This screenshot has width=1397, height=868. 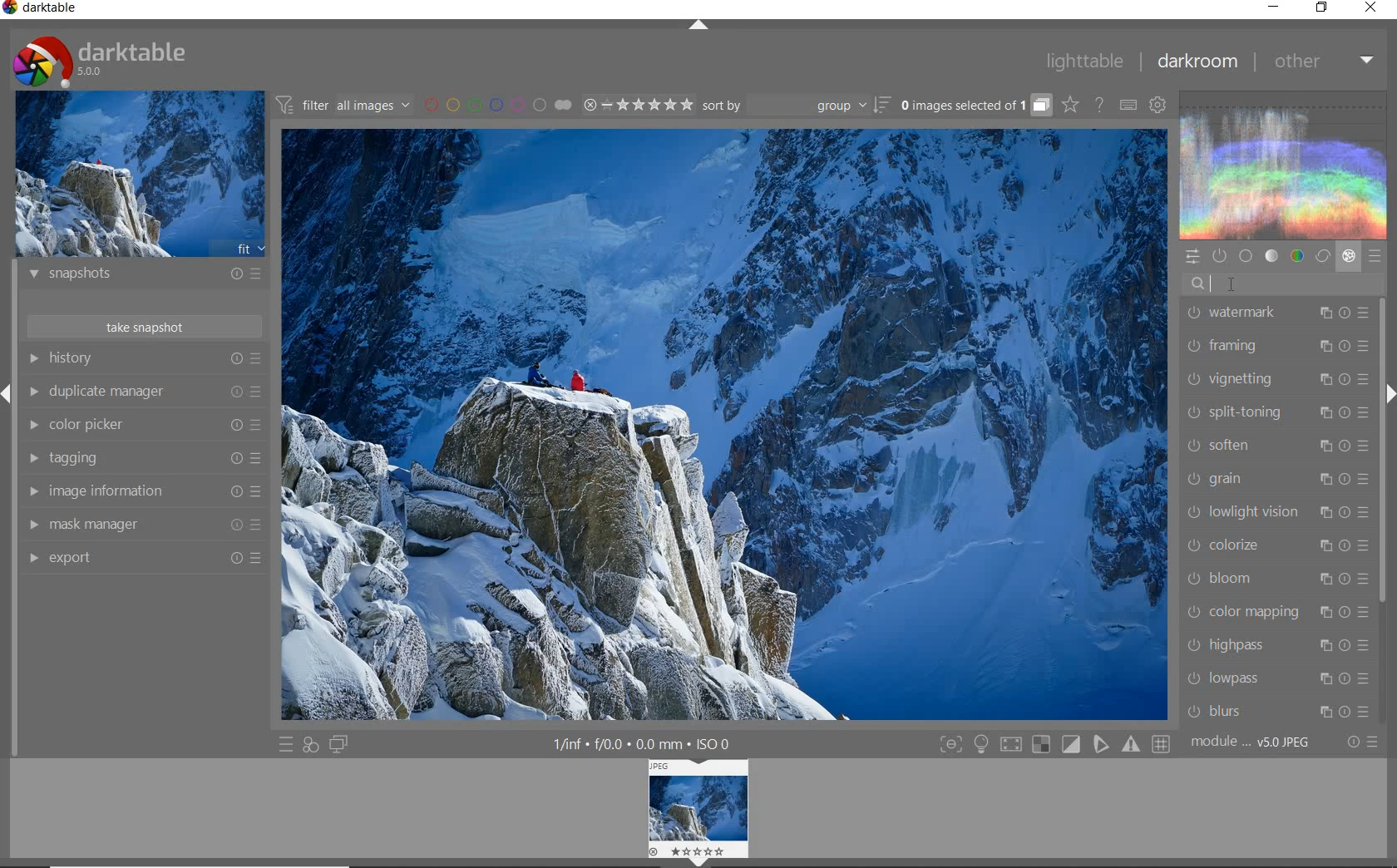 What do you see at coordinates (1255, 742) in the screenshot?
I see `module..v50JPEG` at bounding box center [1255, 742].